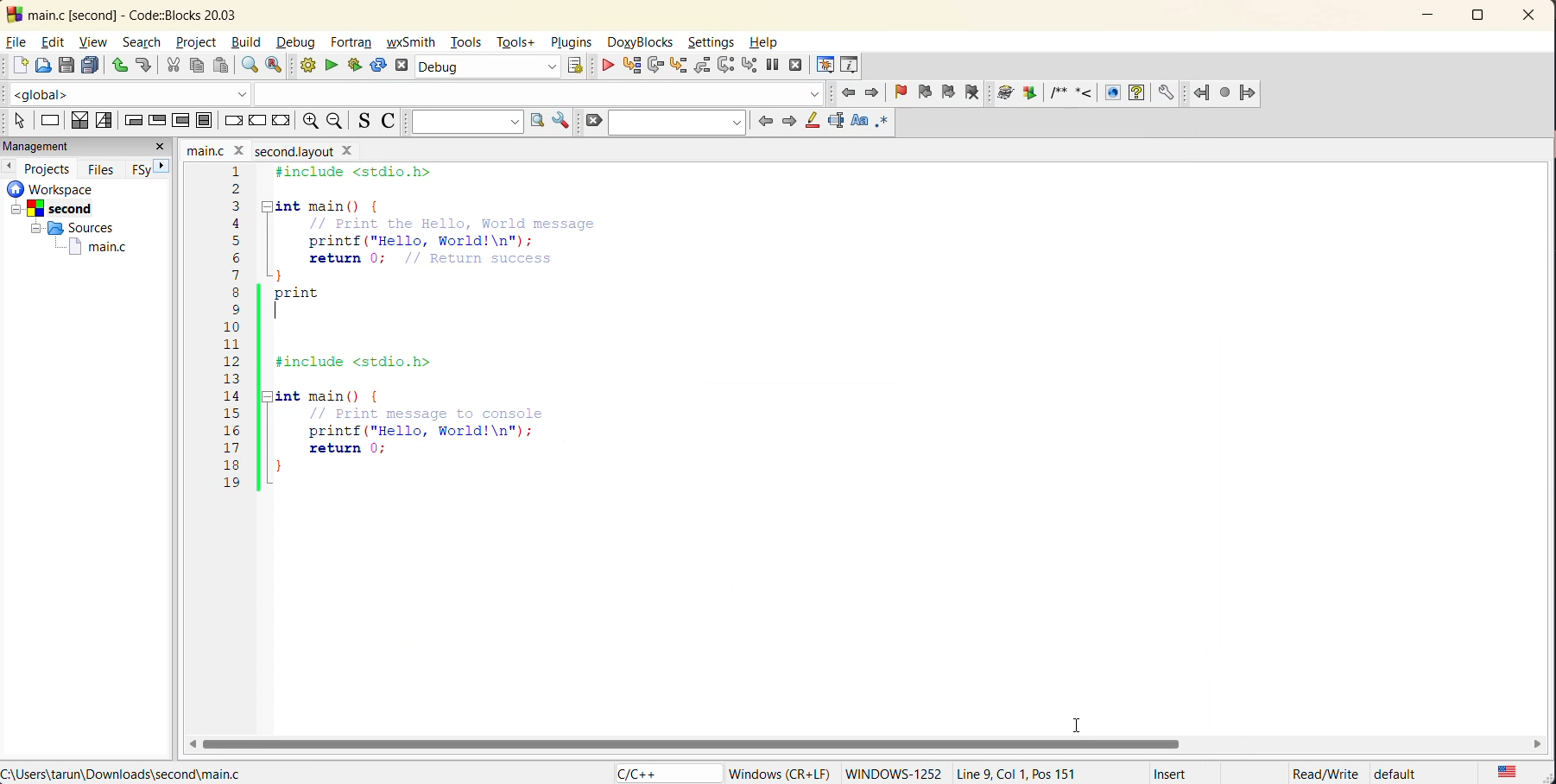 The image size is (1556, 784). Describe the element at coordinates (123, 774) in the screenshot. I see `file location` at that location.